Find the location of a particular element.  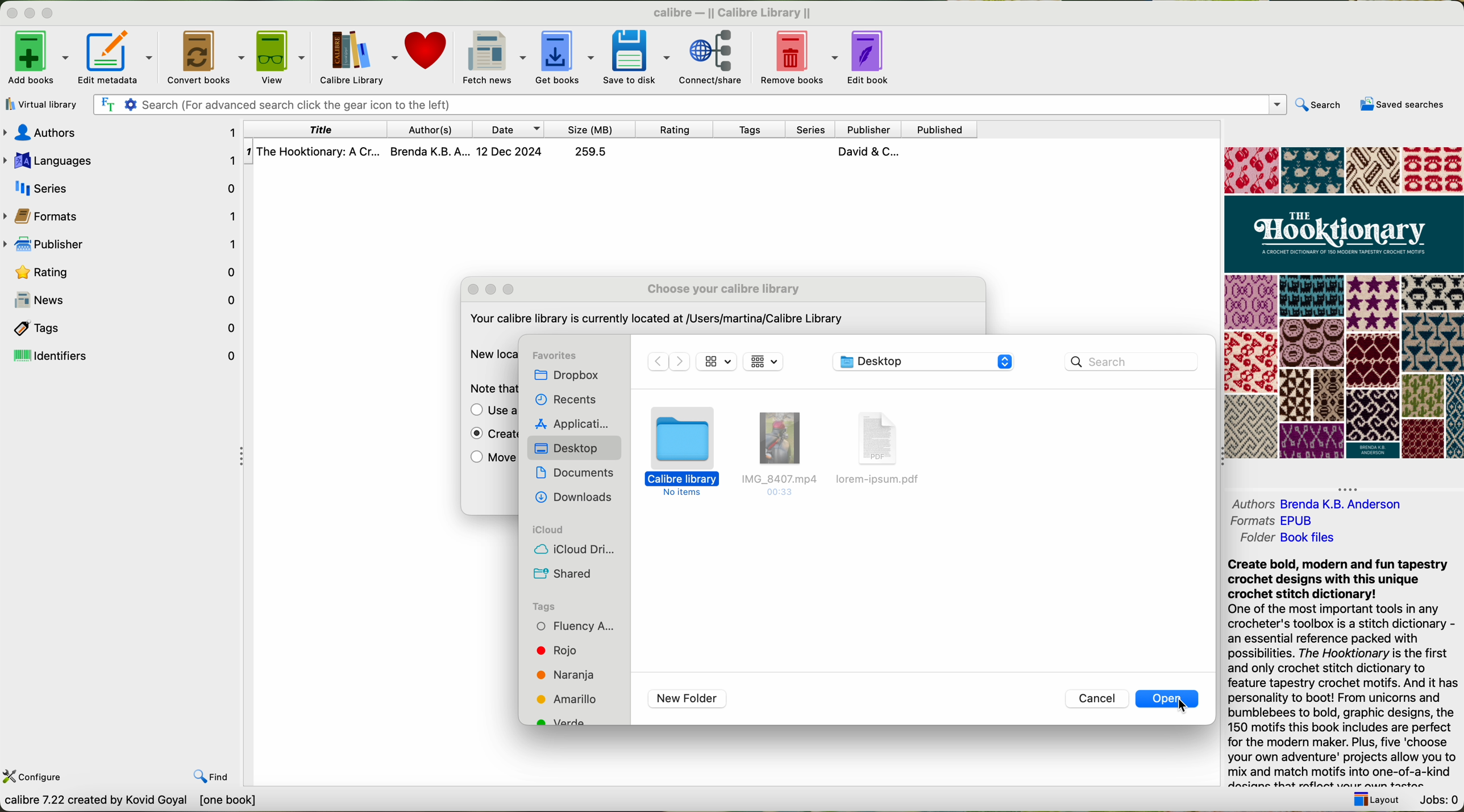

icon is located at coordinates (716, 361).